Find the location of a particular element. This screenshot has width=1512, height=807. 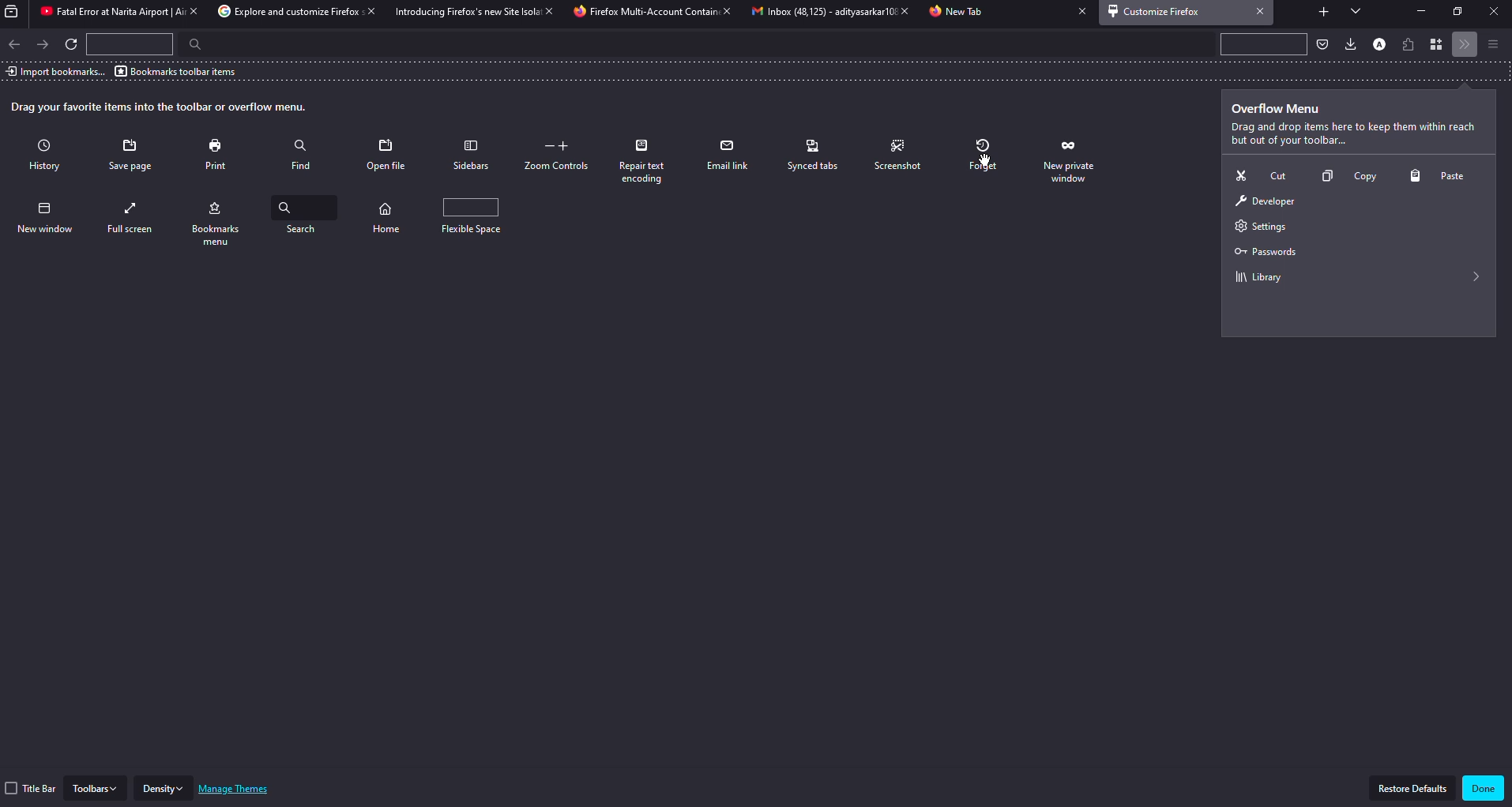

library is located at coordinates (1257, 278).